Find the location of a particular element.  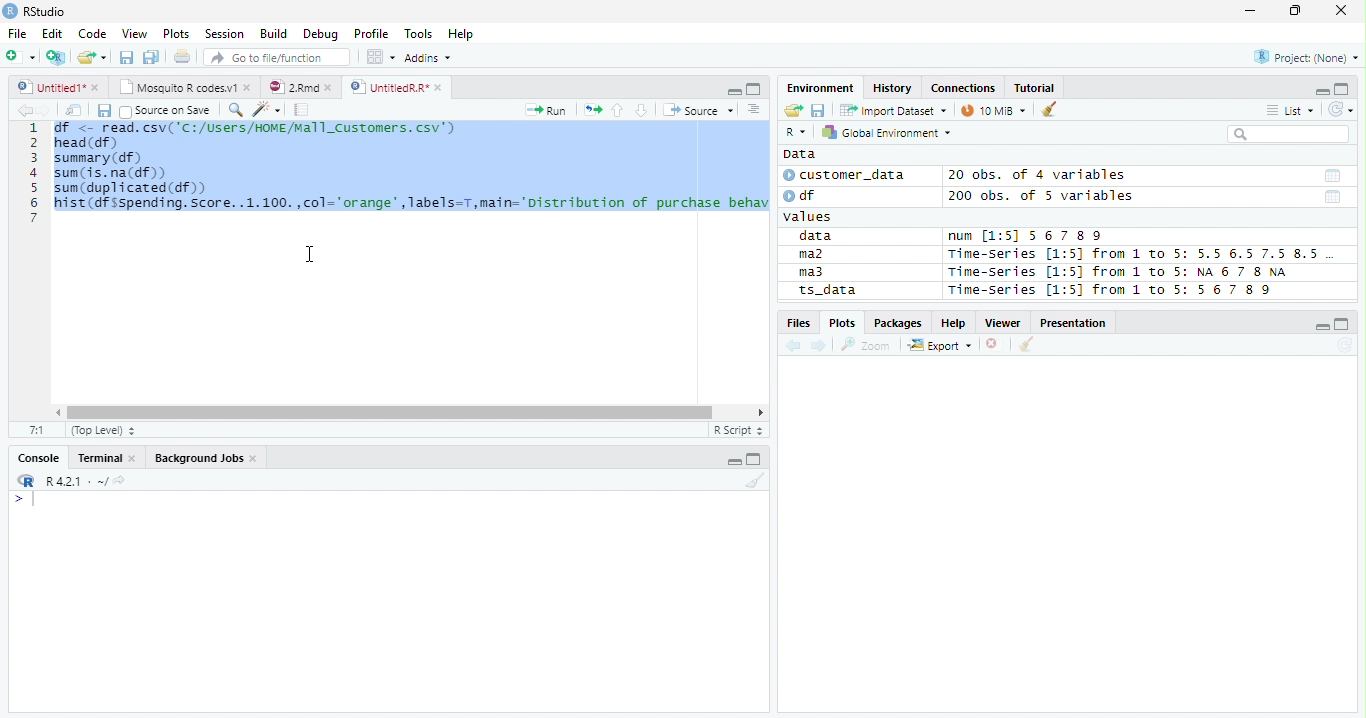

Save is located at coordinates (126, 56).